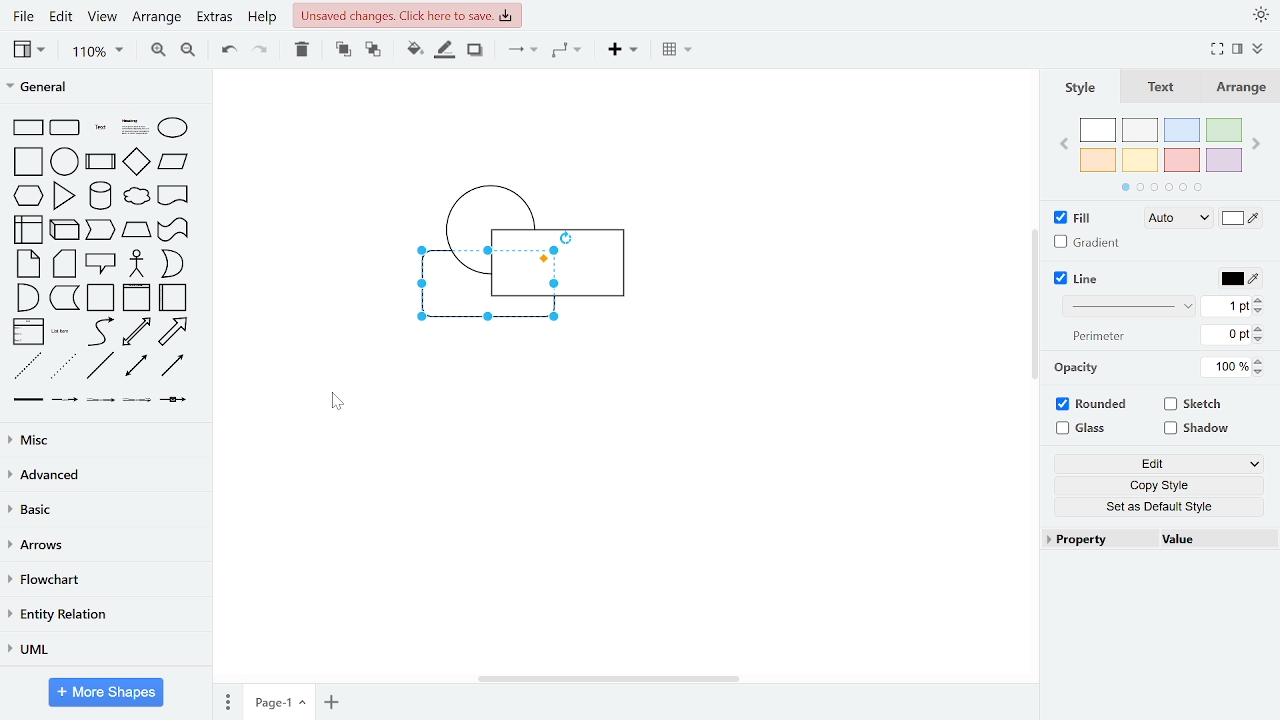  What do you see at coordinates (105, 545) in the screenshot?
I see `arrows` at bounding box center [105, 545].